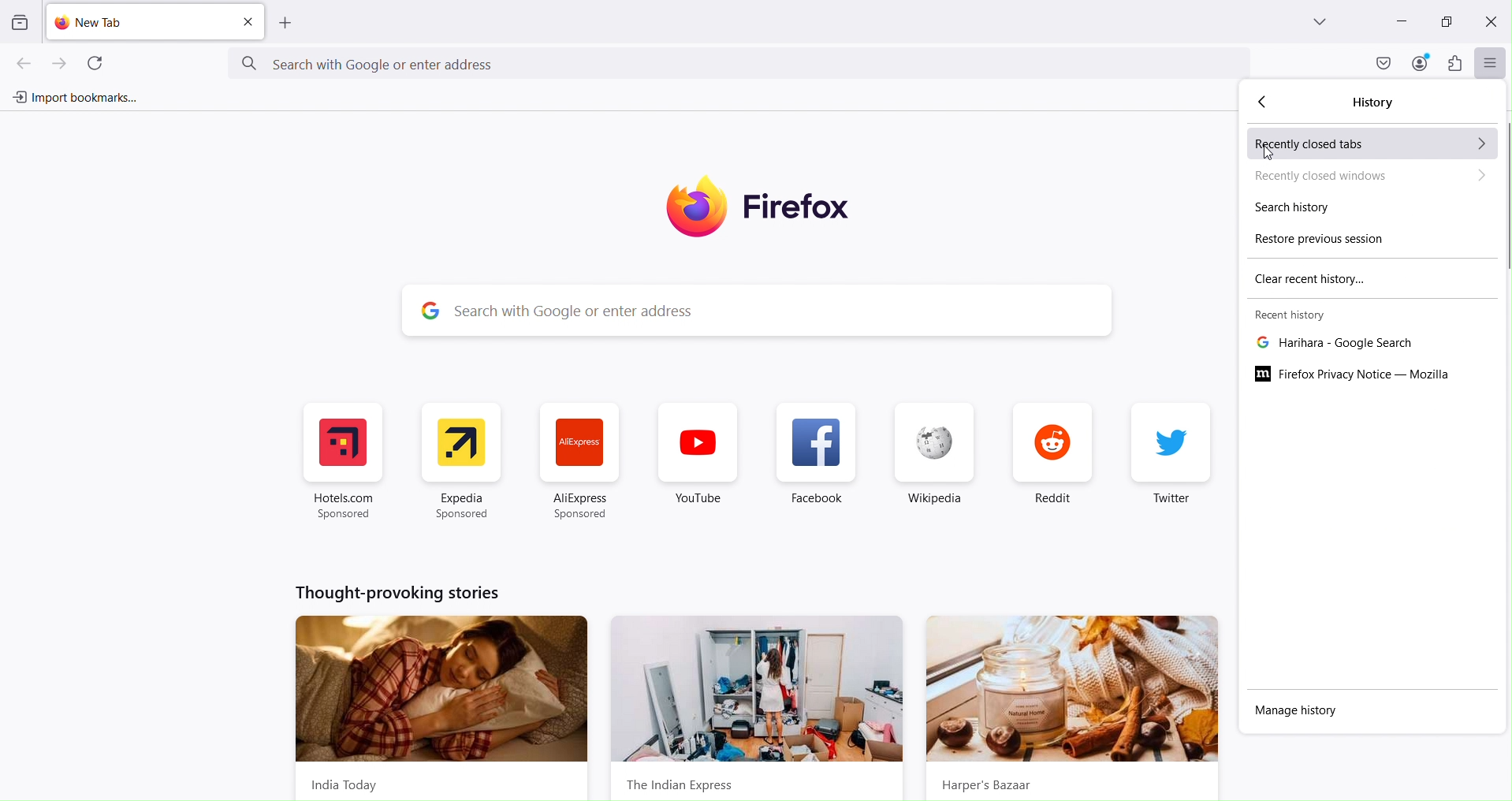 The width and height of the screenshot is (1512, 801). Describe the element at coordinates (1373, 144) in the screenshot. I see `Recently closed tabs` at that location.